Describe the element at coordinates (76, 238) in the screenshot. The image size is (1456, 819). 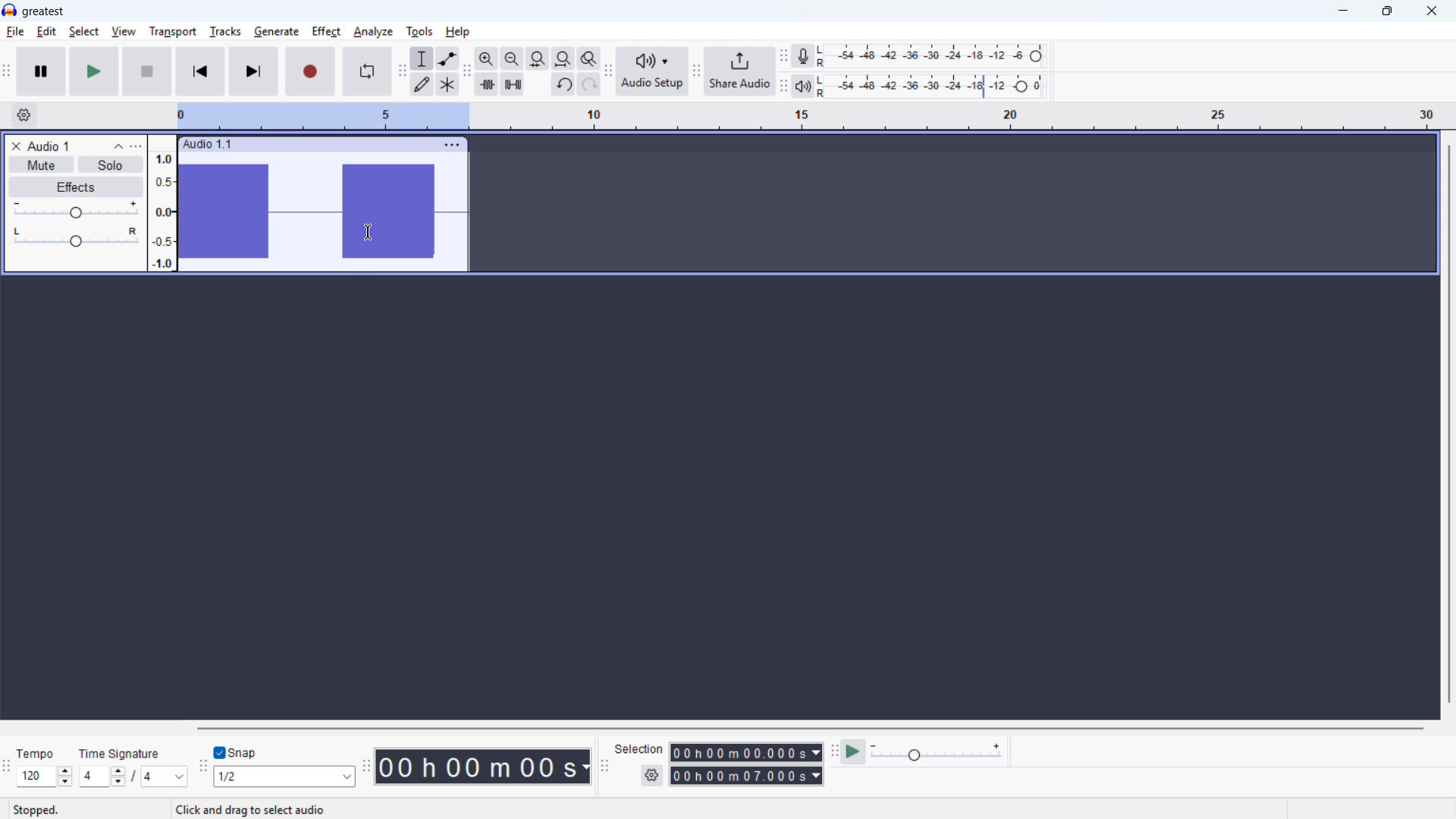
I see `Pan: Centre ` at that location.